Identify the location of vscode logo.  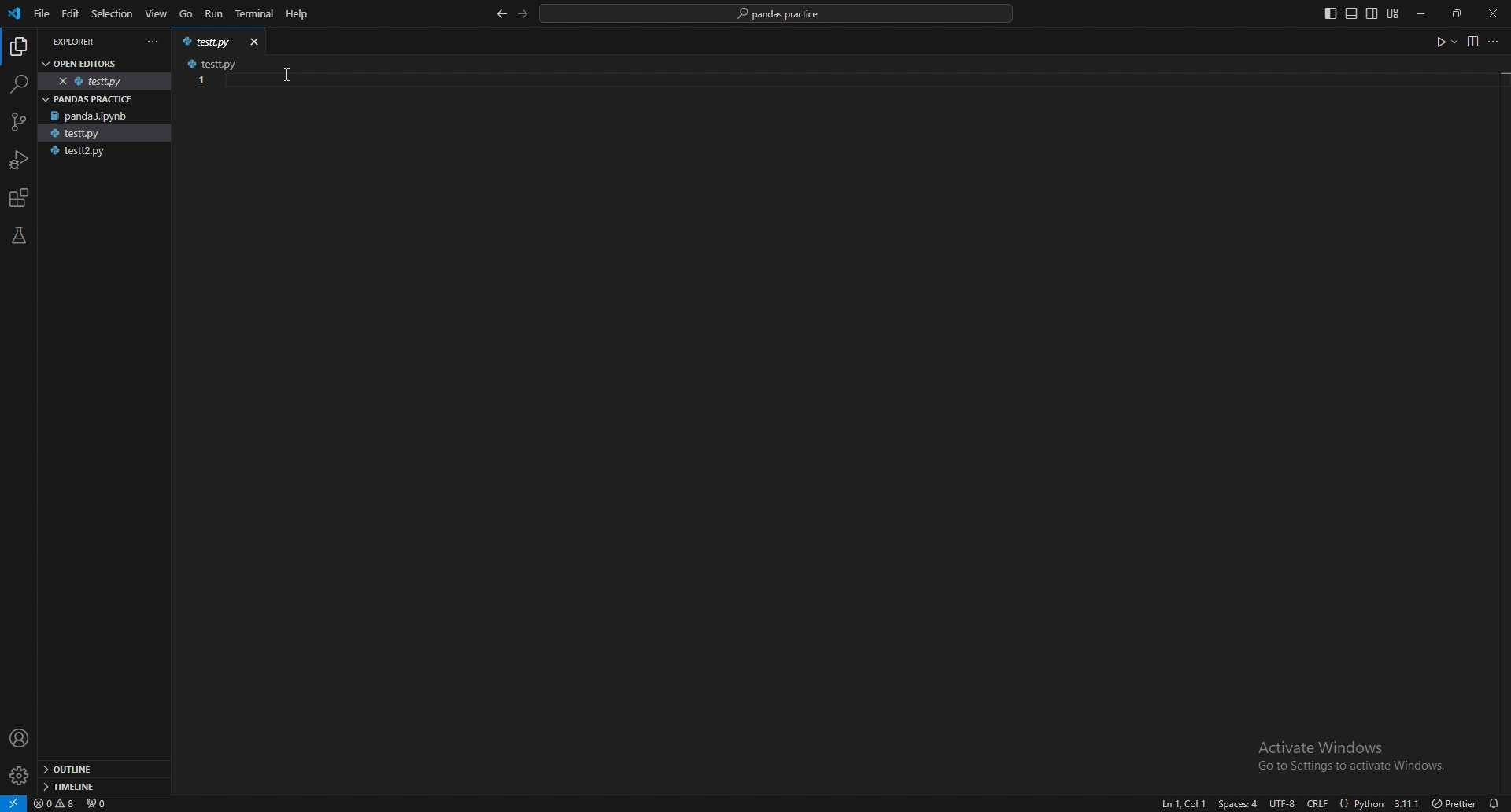
(14, 14).